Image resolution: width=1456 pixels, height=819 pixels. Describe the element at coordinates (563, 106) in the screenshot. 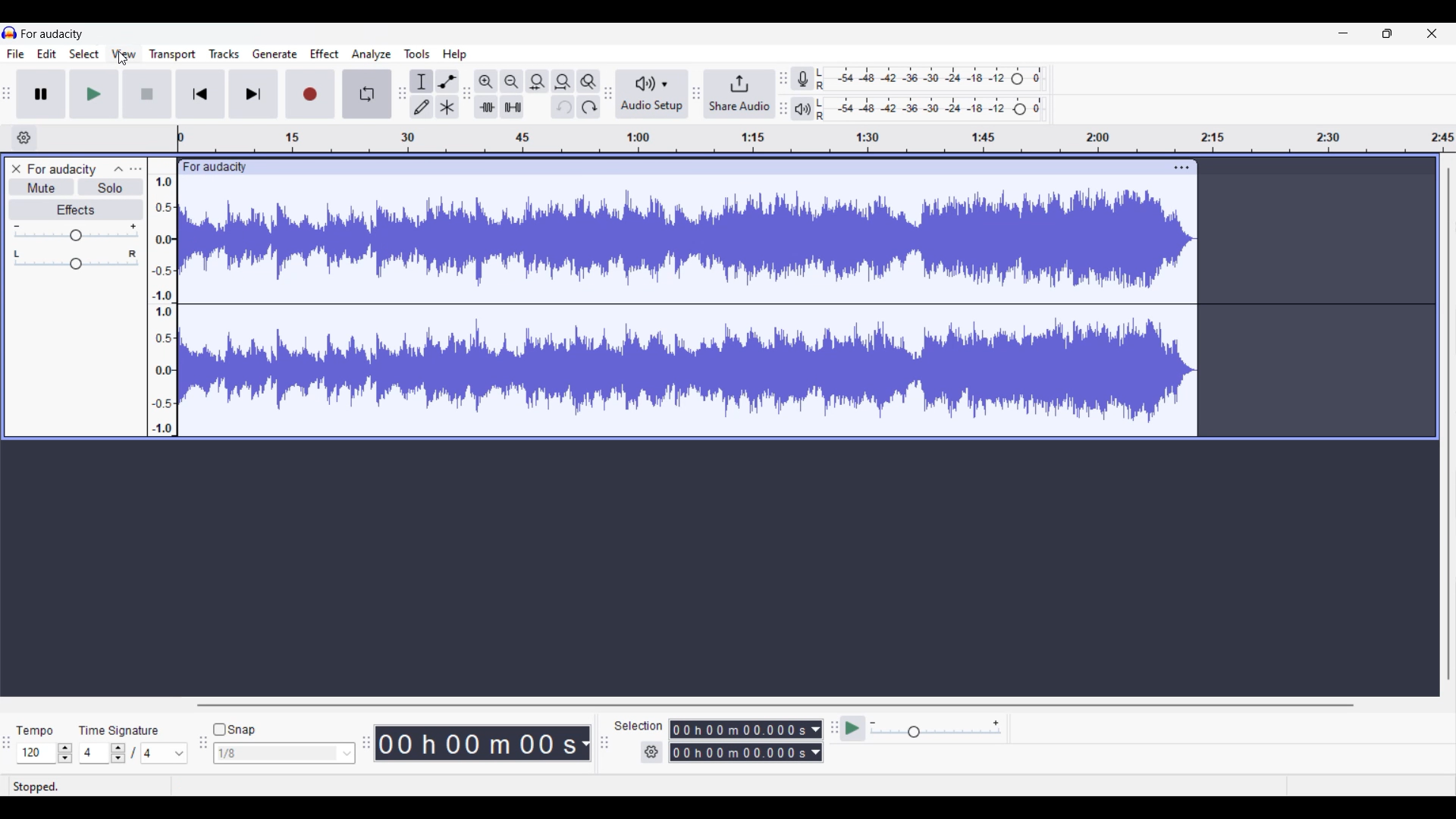

I see `Undo` at that location.